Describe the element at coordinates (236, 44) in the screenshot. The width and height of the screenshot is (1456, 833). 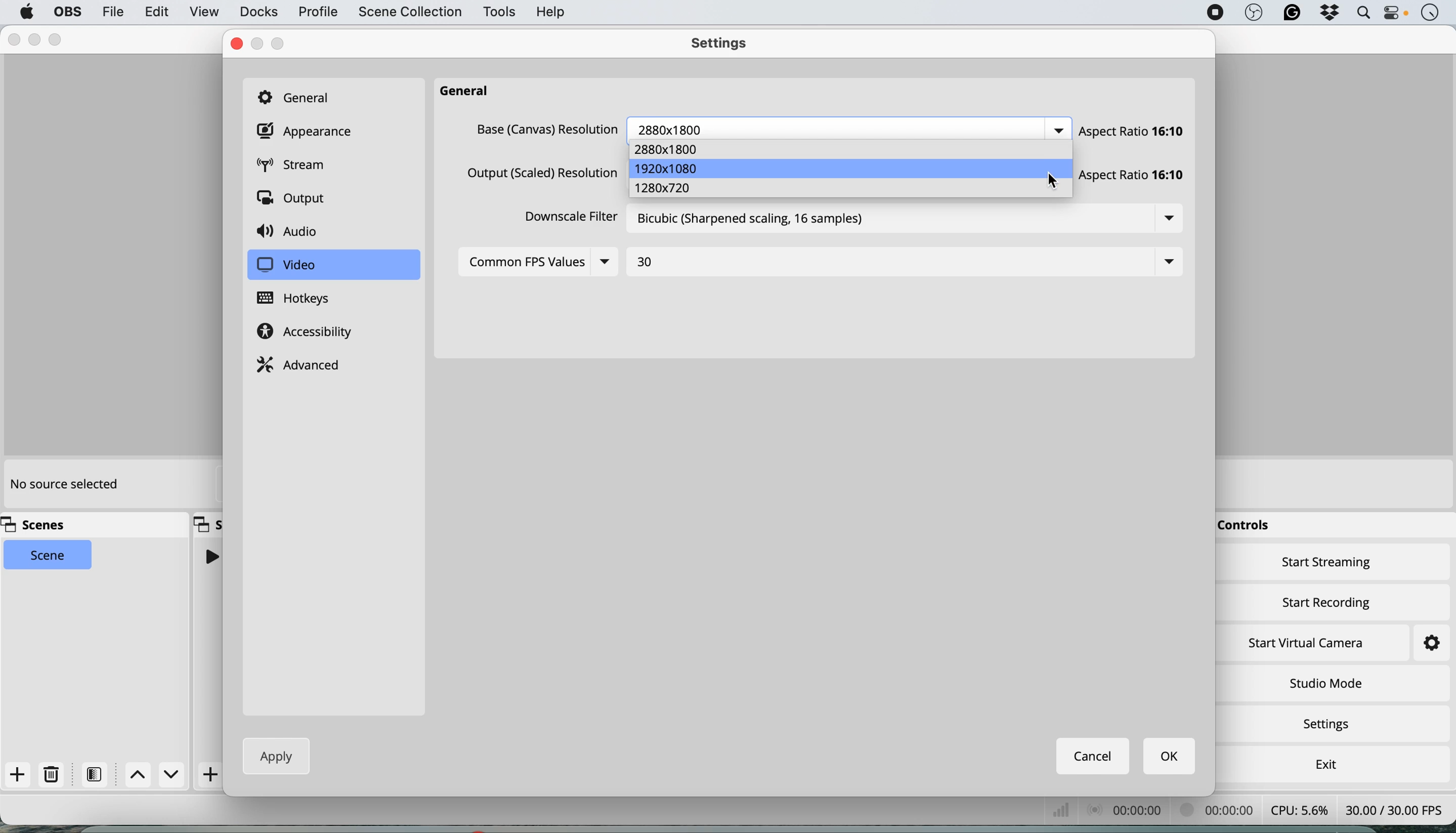
I see `close` at that location.